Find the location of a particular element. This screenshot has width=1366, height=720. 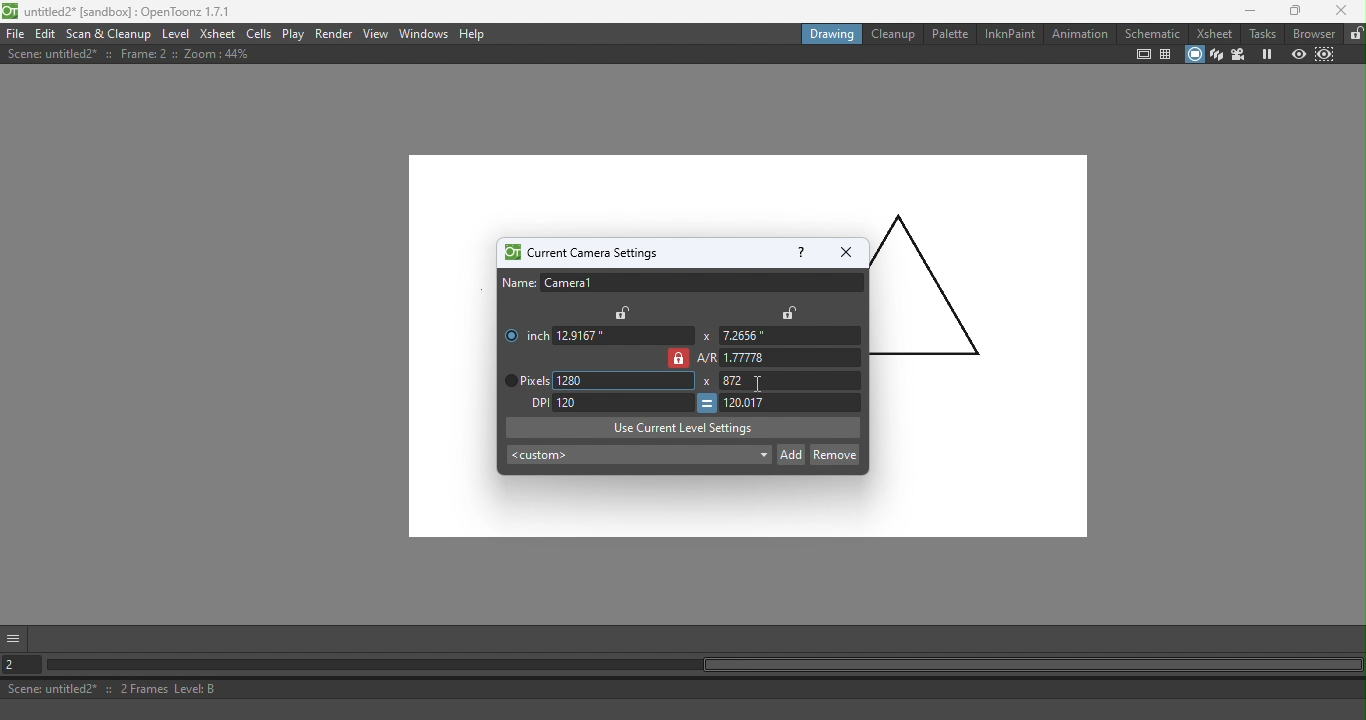

Play is located at coordinates (293, 34).